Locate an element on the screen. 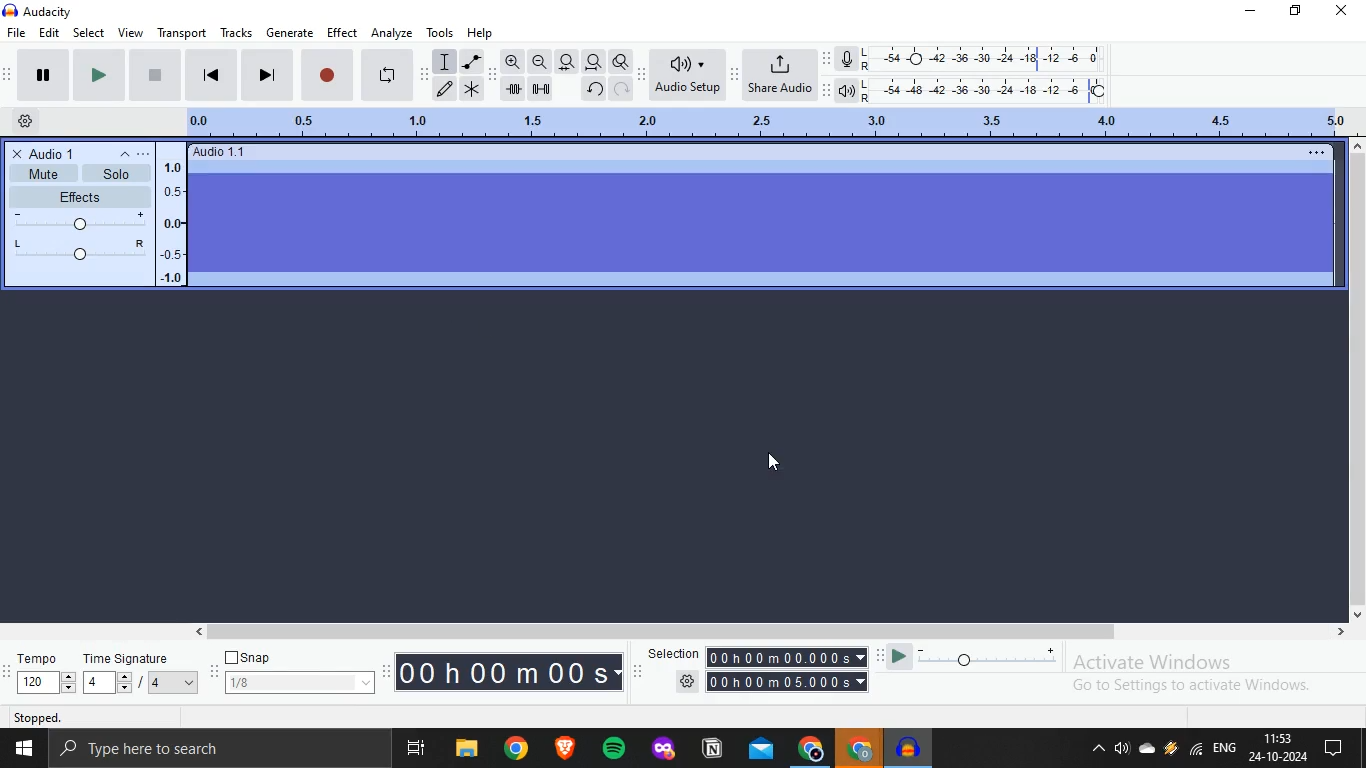 Image resolution: width=1366 pixels, height=768 pixels. Outlook is located at coordinates (762, 752).